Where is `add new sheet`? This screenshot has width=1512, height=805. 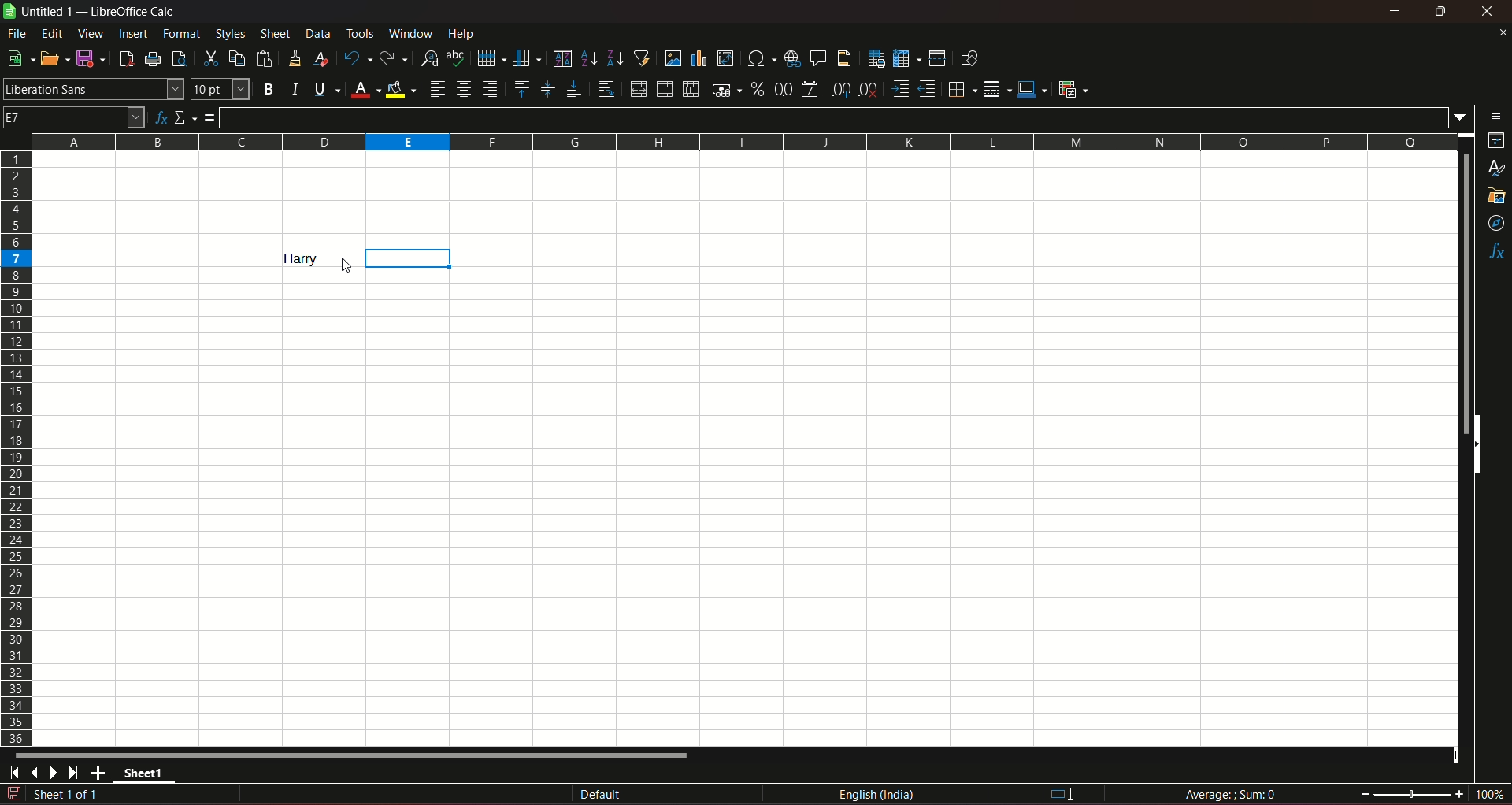 add new sheet is located at coordinates (100, 773).